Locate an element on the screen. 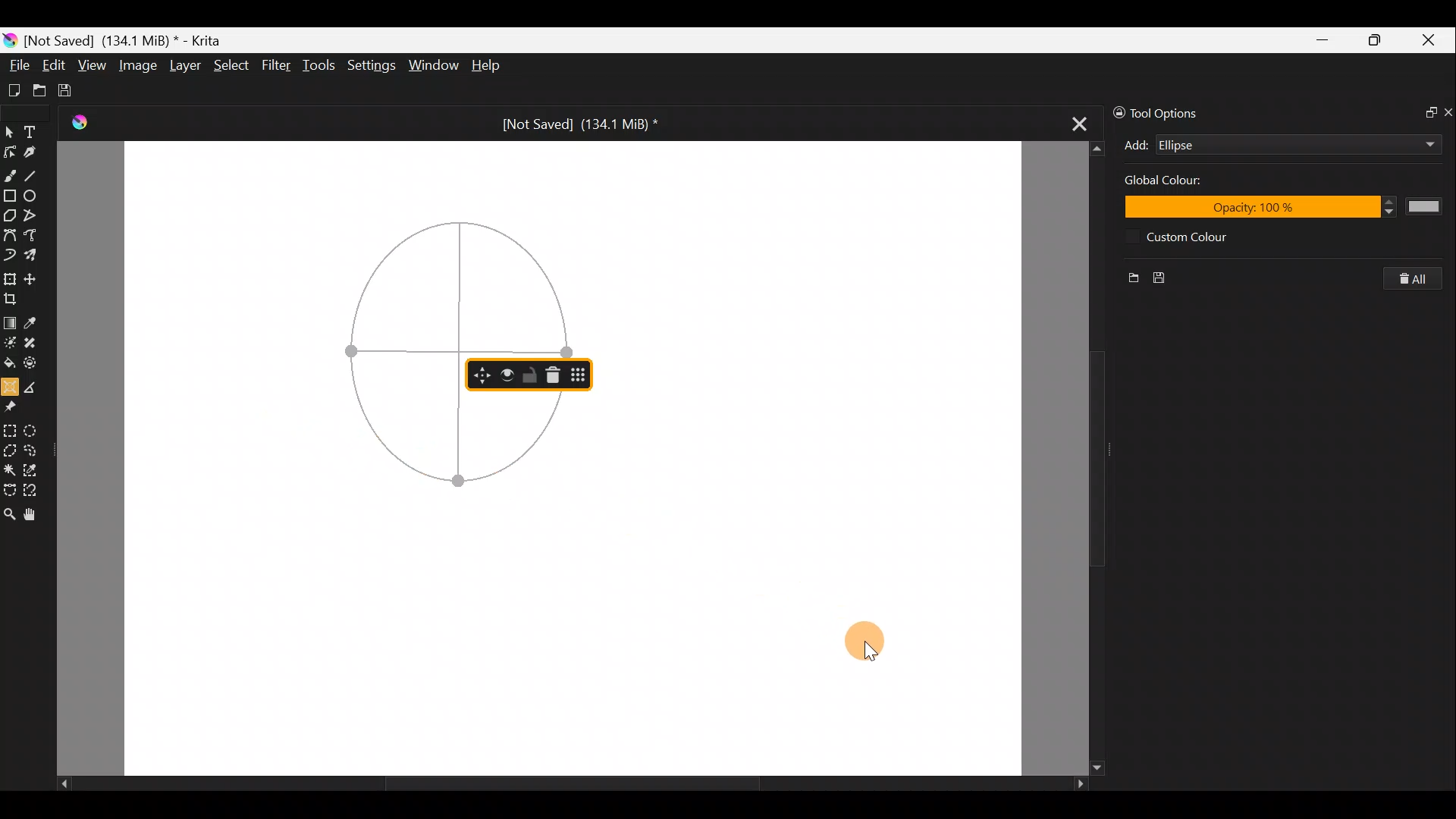  Custom color is located at coordinates (1198, 237).